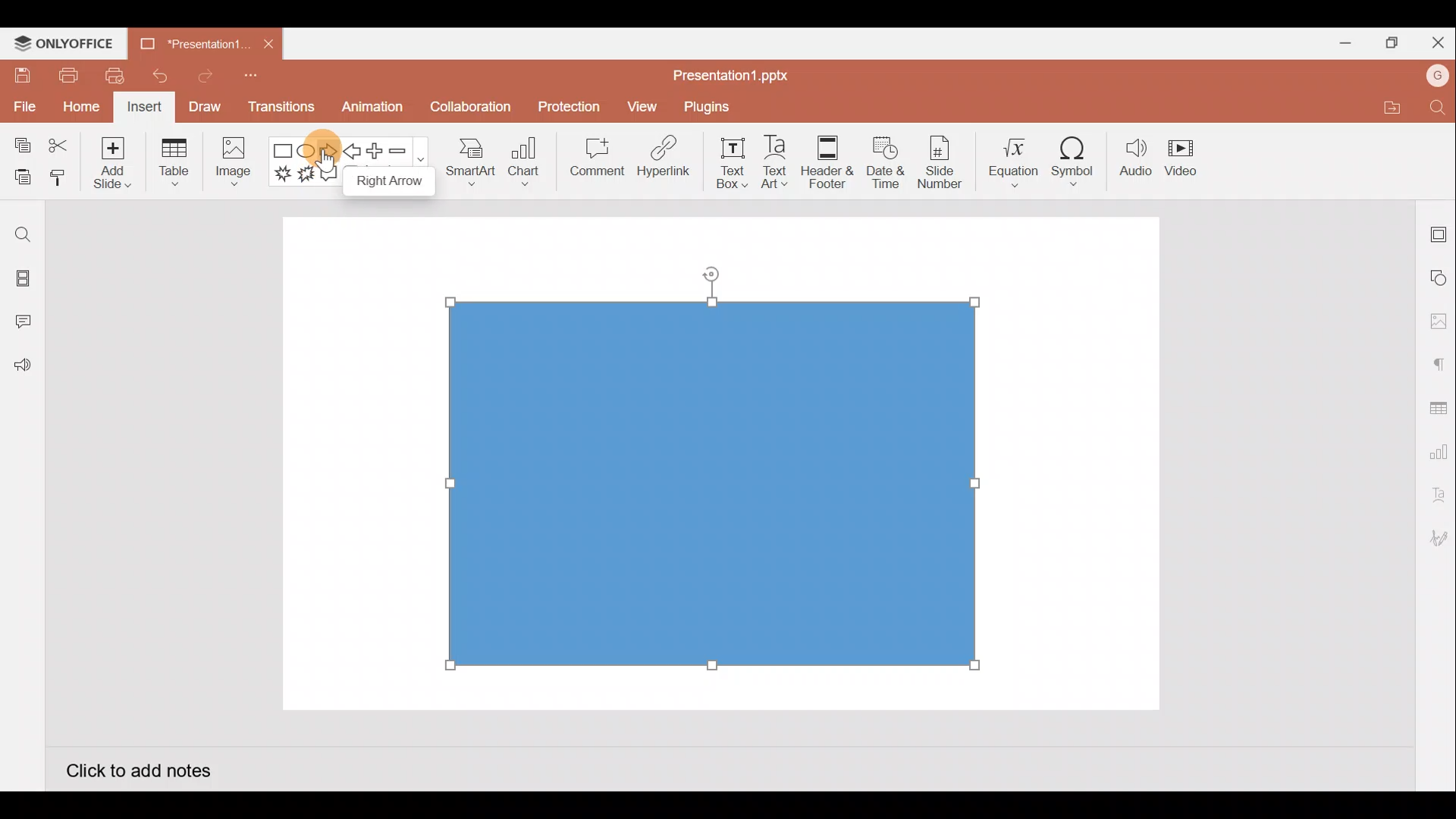 This screenshot has height=819, width=1456. I want to click on Text box, so click(733, 163).